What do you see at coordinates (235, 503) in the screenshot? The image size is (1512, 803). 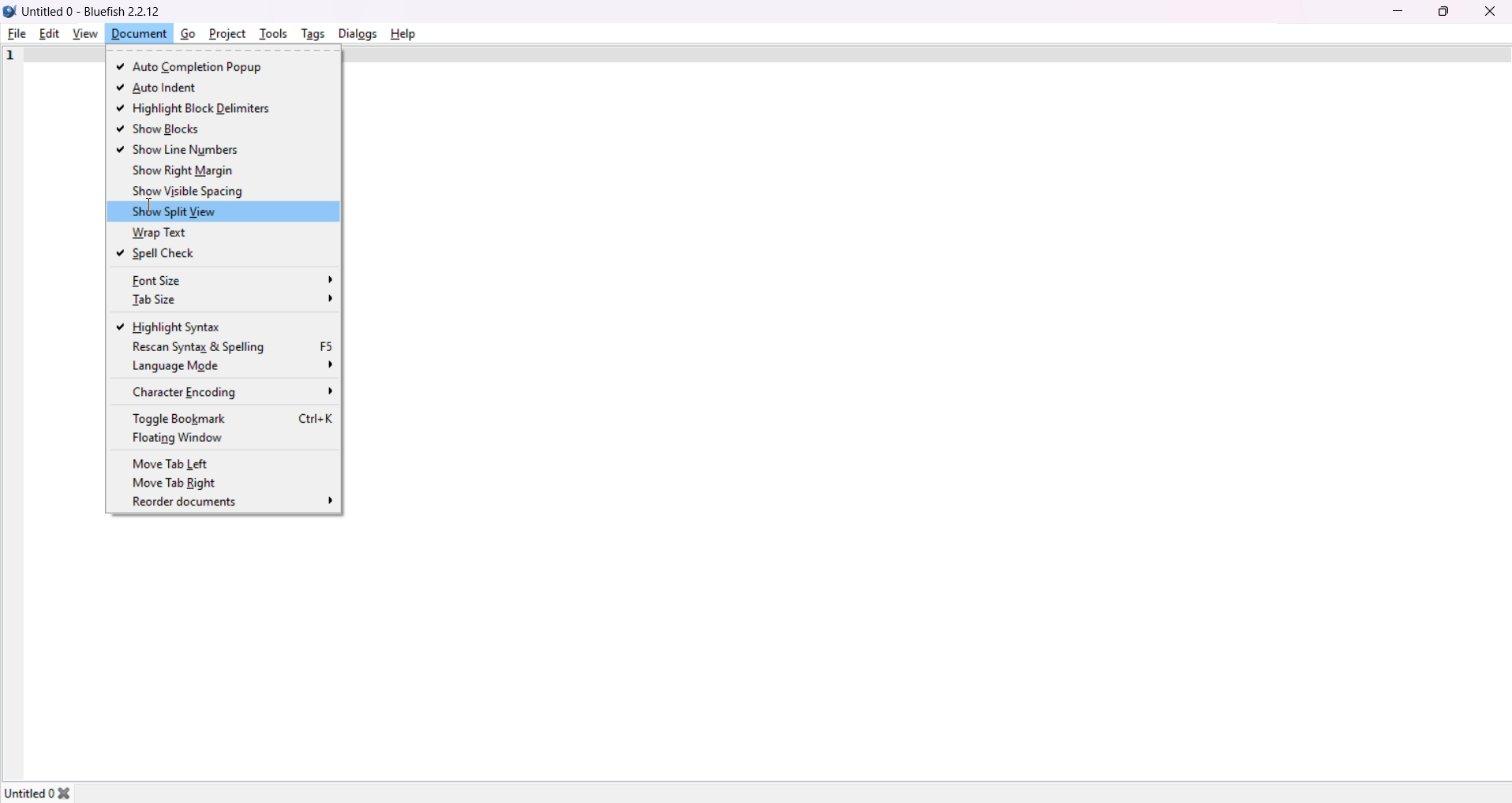 I see `reorder documents` at bounding box center [235, 503].